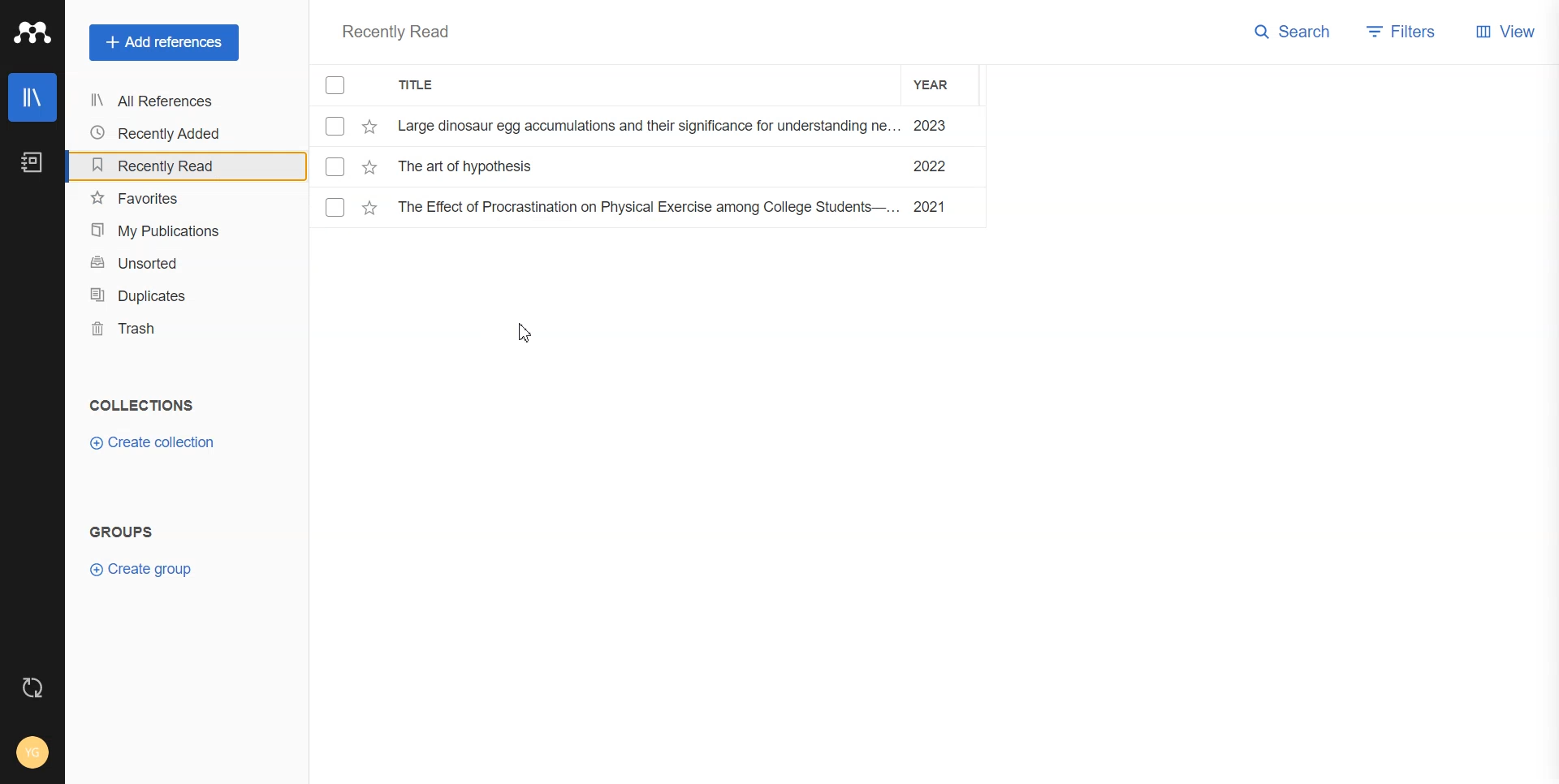 Image resolution: width=1559 pixels, height=784 pixels. I want to click on Checkmarks, so click(338, 86).